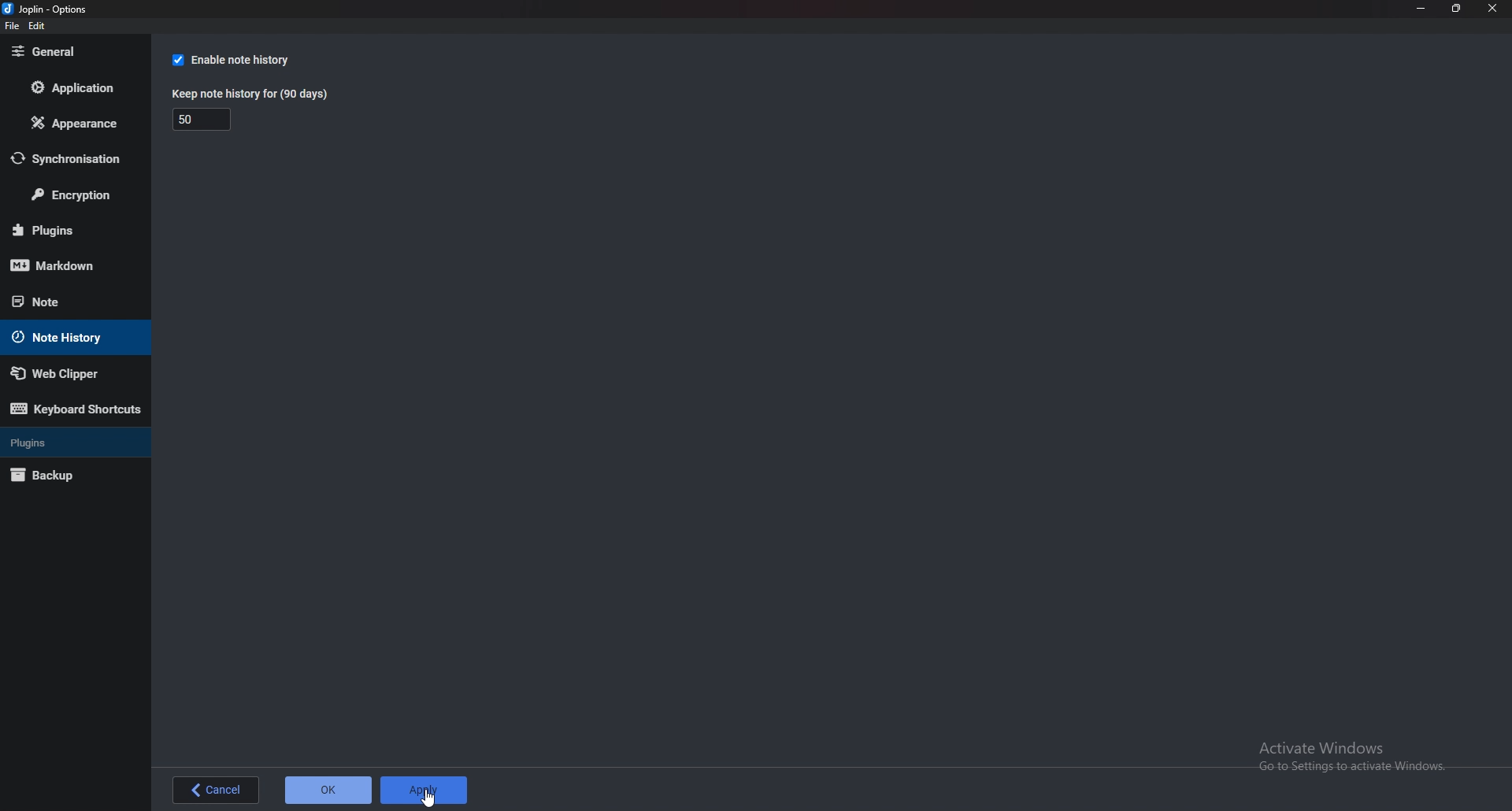 This screenshot has height=811, width=1512. I want to click on Application, so click(76, 86).